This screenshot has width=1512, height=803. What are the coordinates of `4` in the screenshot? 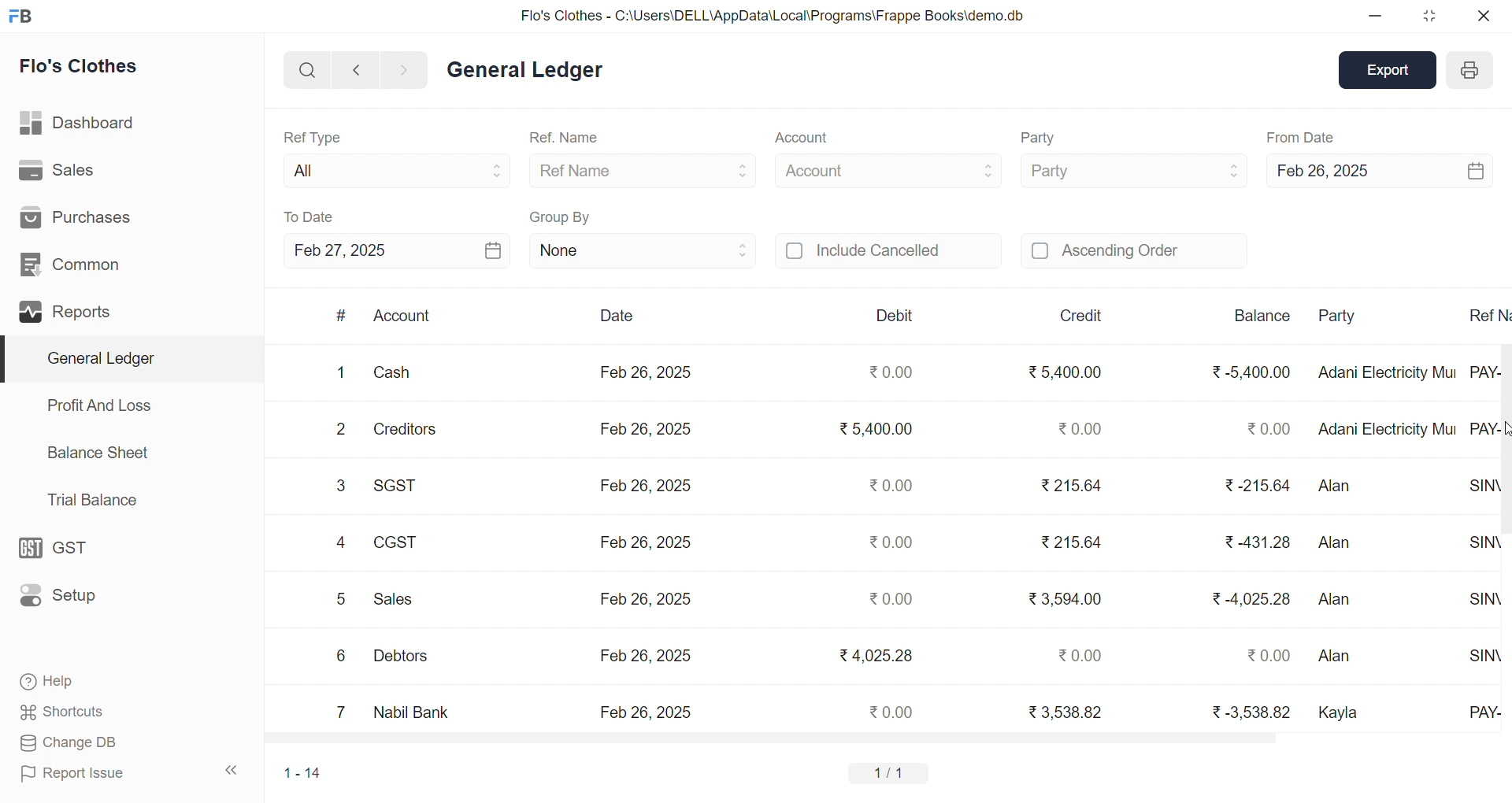 It's located at (340, 542).